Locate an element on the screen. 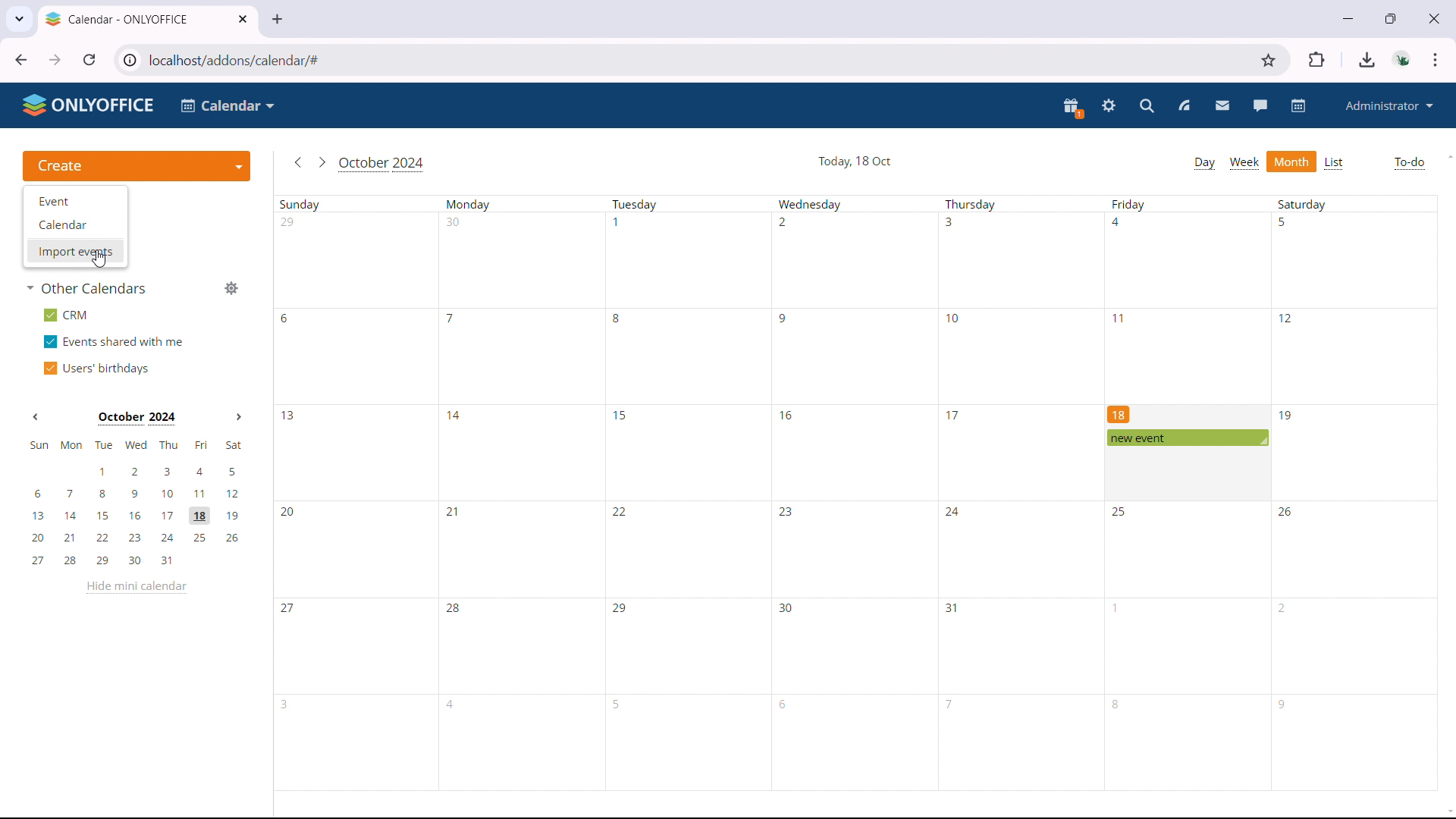  20 is located at coordinates (290, 513).